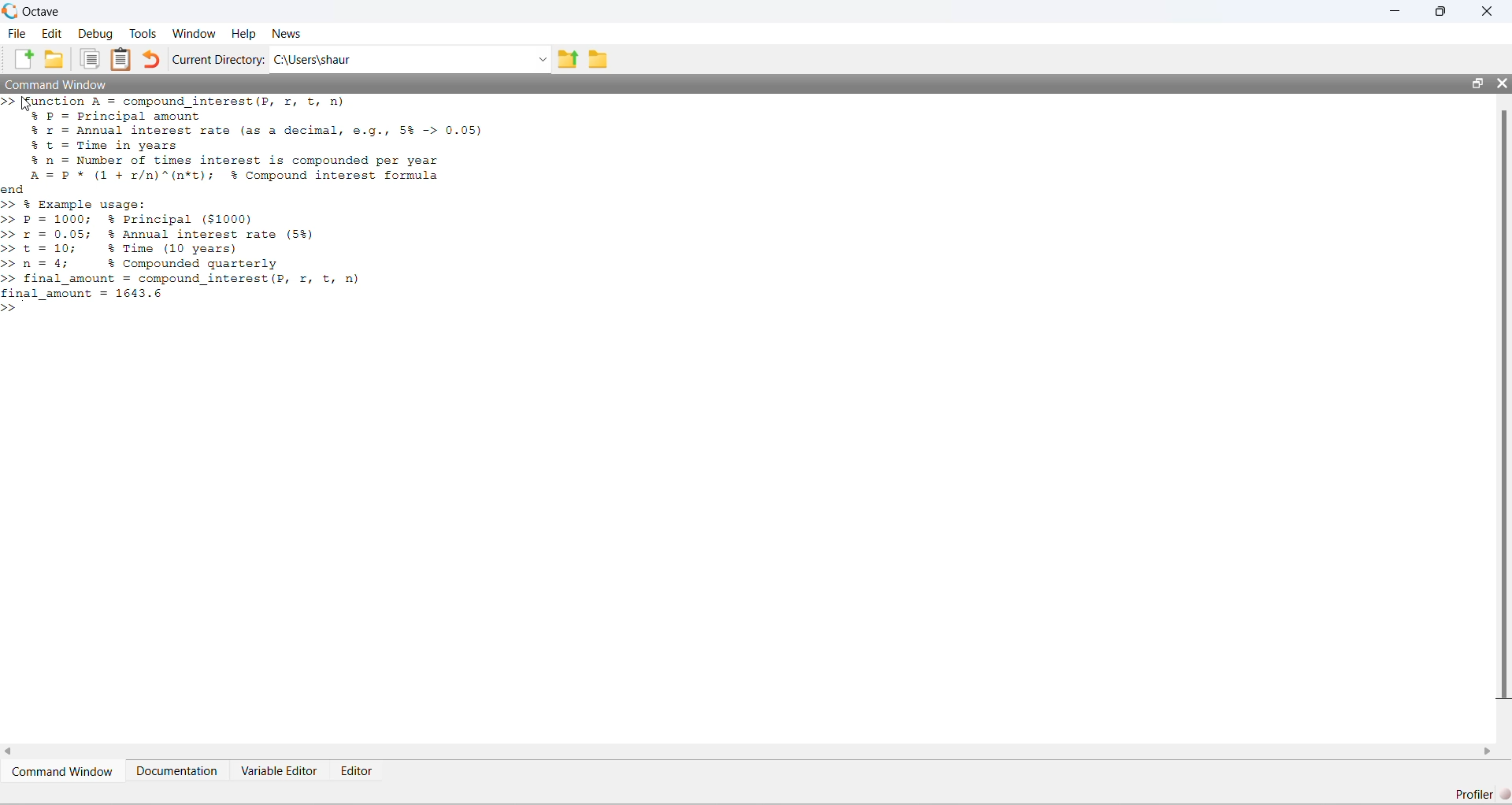 This screenshot has height=805, width=1512. Describe the element at coordinates (280, 770) in the screenshot. I see `Variable Editor` at that location.